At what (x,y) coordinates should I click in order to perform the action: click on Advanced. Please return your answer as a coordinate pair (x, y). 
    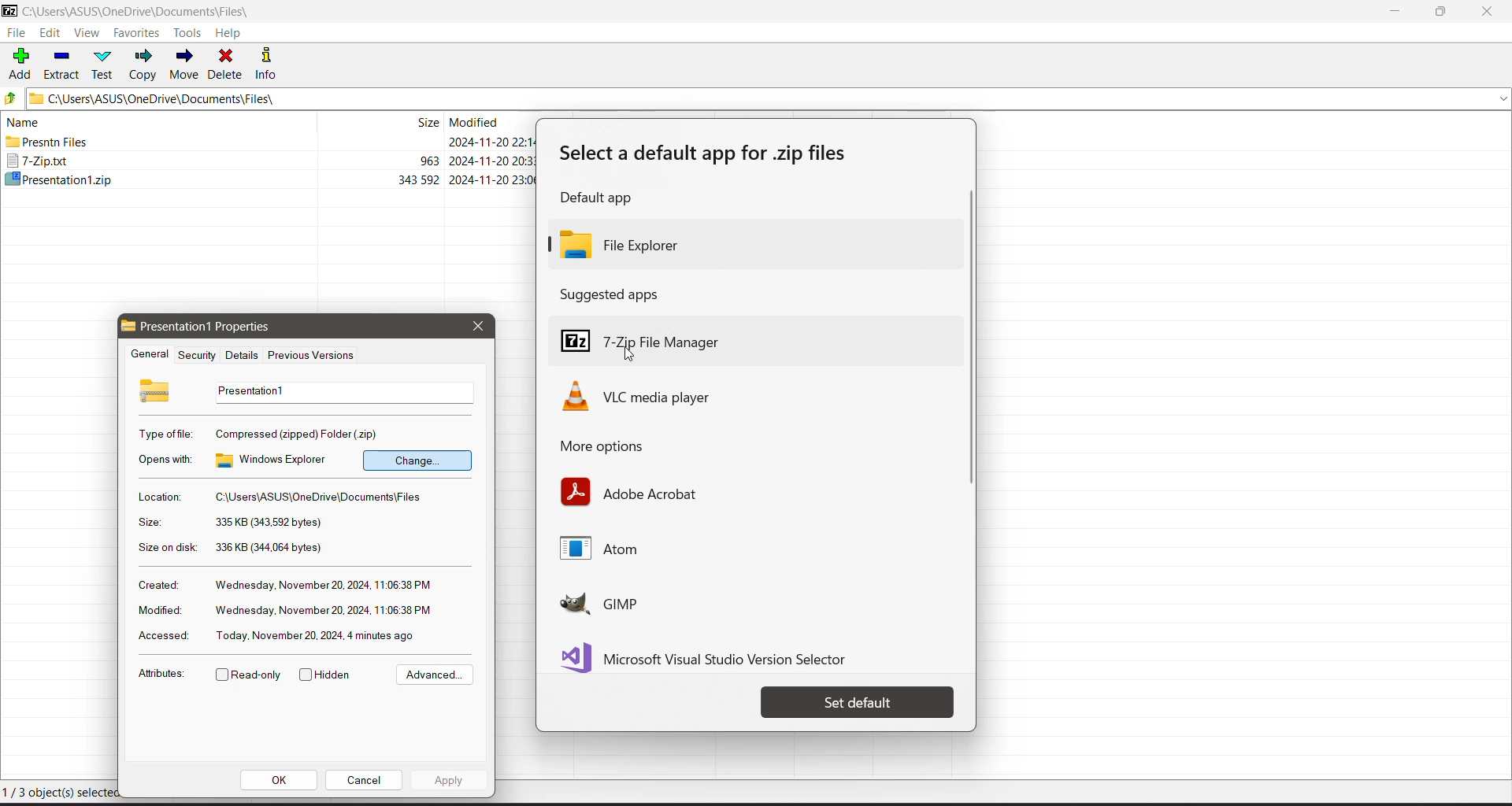
    Looking at the image, I should click on (432, 675).